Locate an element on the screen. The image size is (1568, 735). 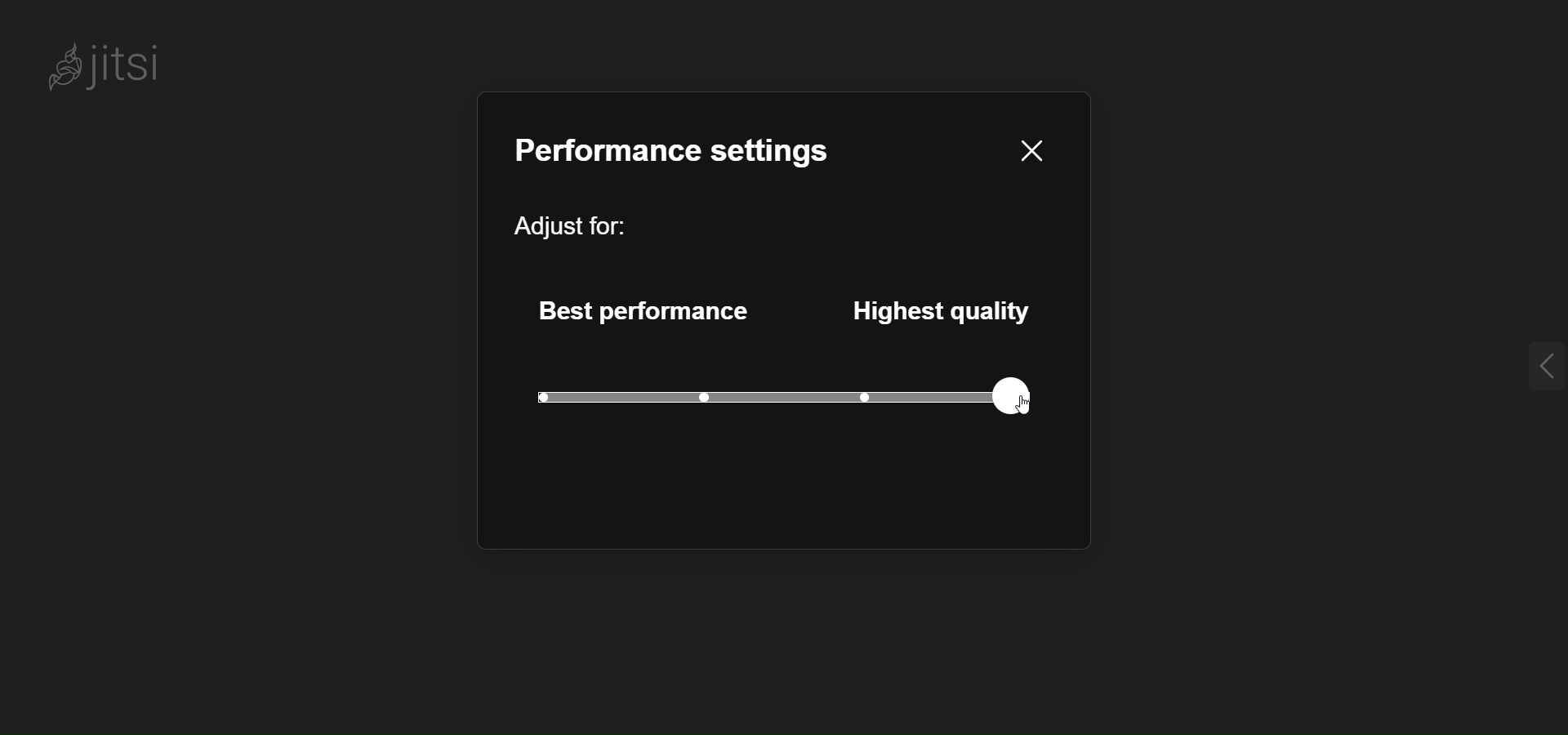
current level is located at coordinates (558, 395).